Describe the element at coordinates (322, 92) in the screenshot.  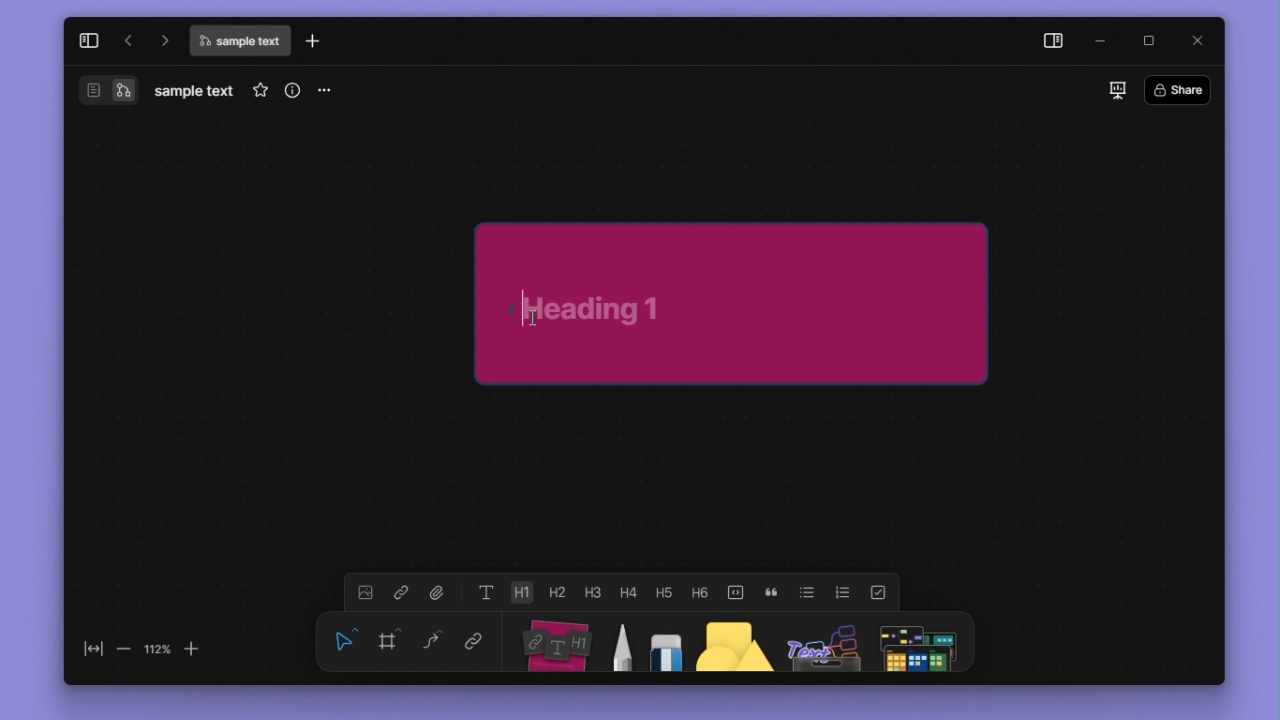
I see `more` at that location.